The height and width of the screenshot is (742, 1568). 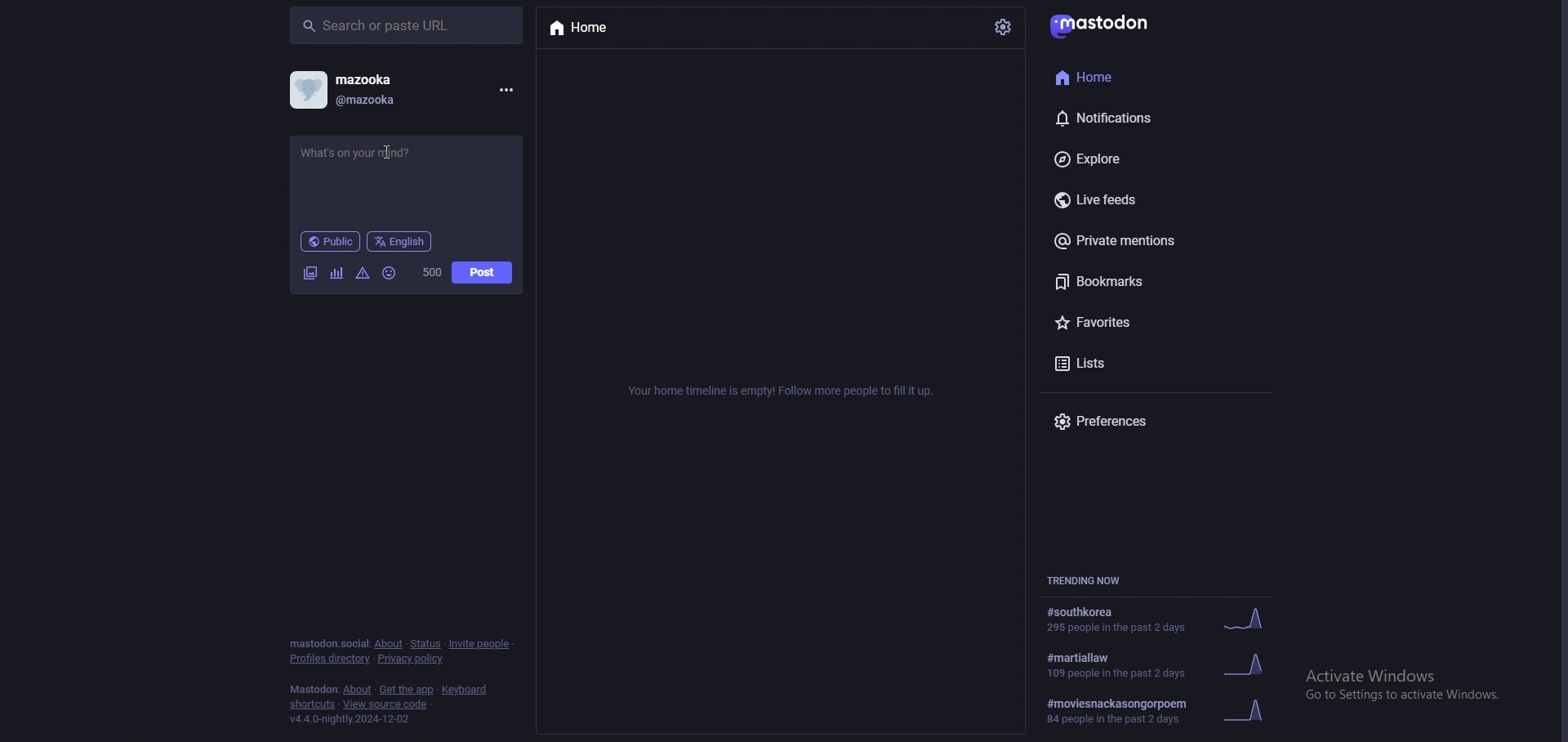 What do you see at coordinates (351, 88) in the screenshot?
I see `profile` at bounding box center [351, 88].